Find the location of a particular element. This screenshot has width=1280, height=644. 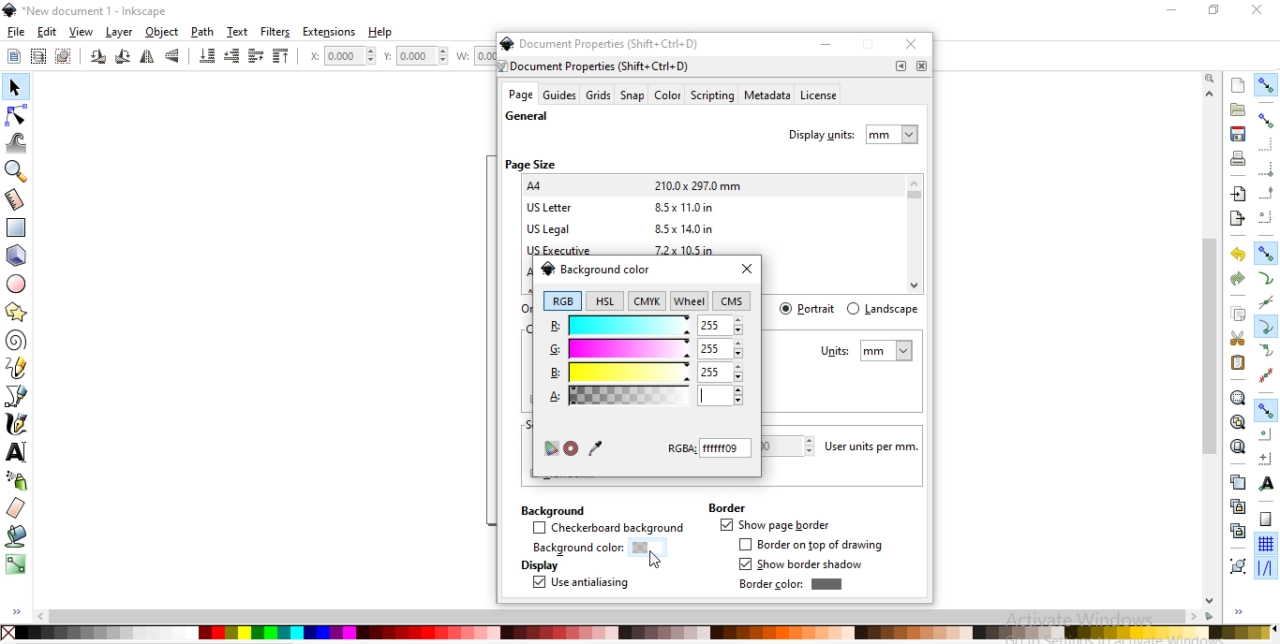

export a document is located at coordinates (1237, 219).